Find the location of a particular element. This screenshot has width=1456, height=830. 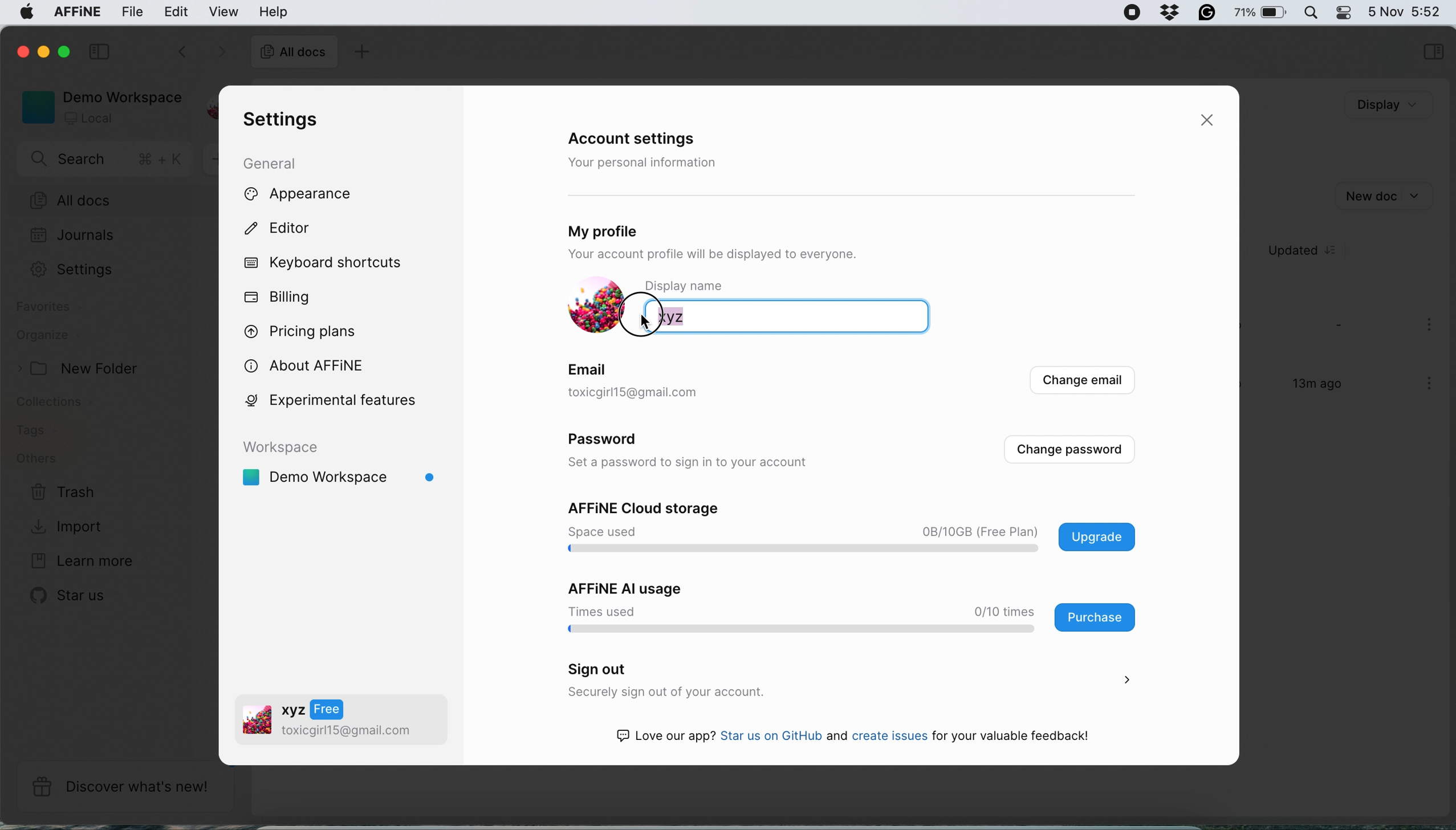

system logo is located at coordinates (22, 14).